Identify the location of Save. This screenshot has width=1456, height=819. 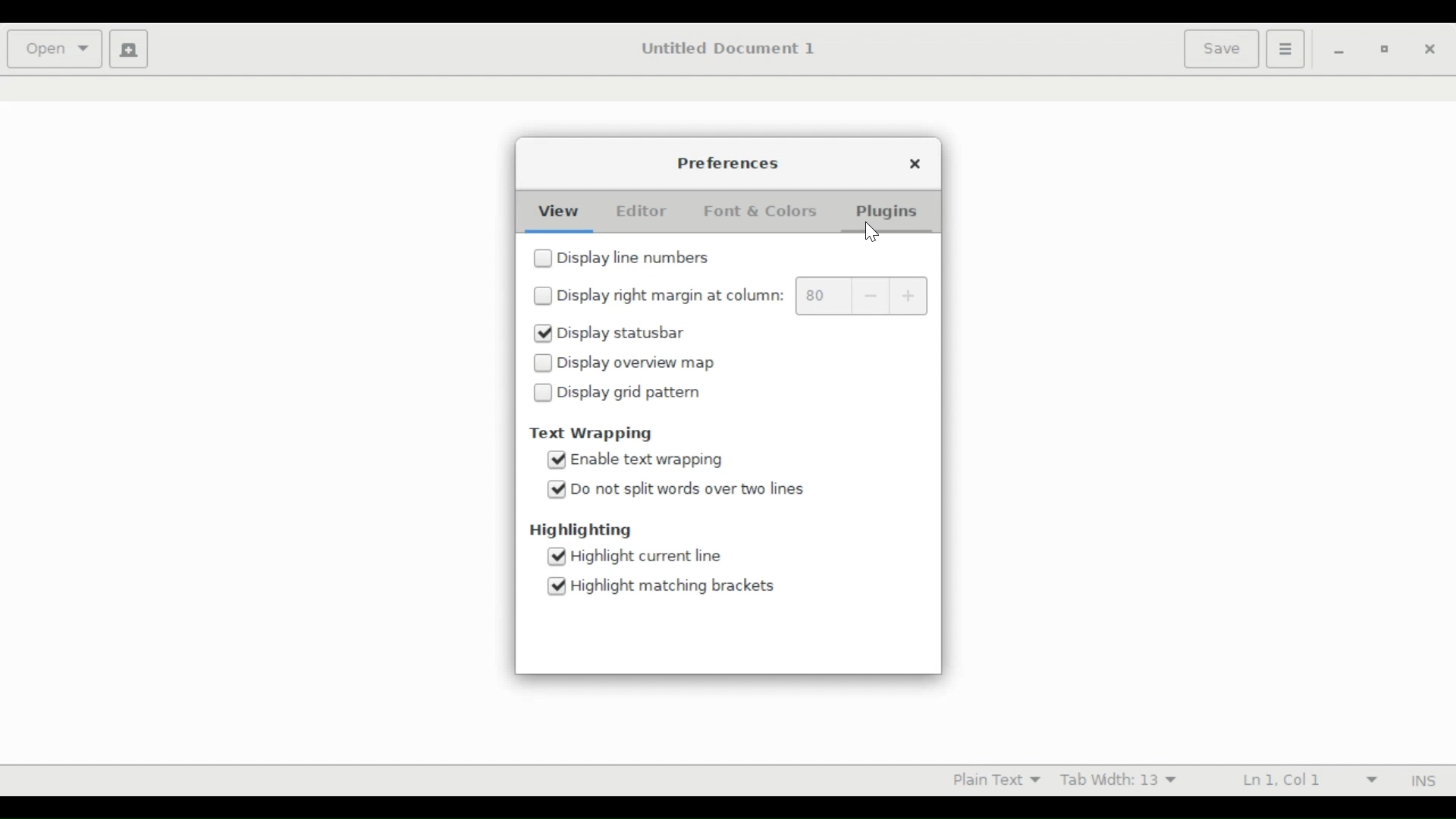
(1220, 49).